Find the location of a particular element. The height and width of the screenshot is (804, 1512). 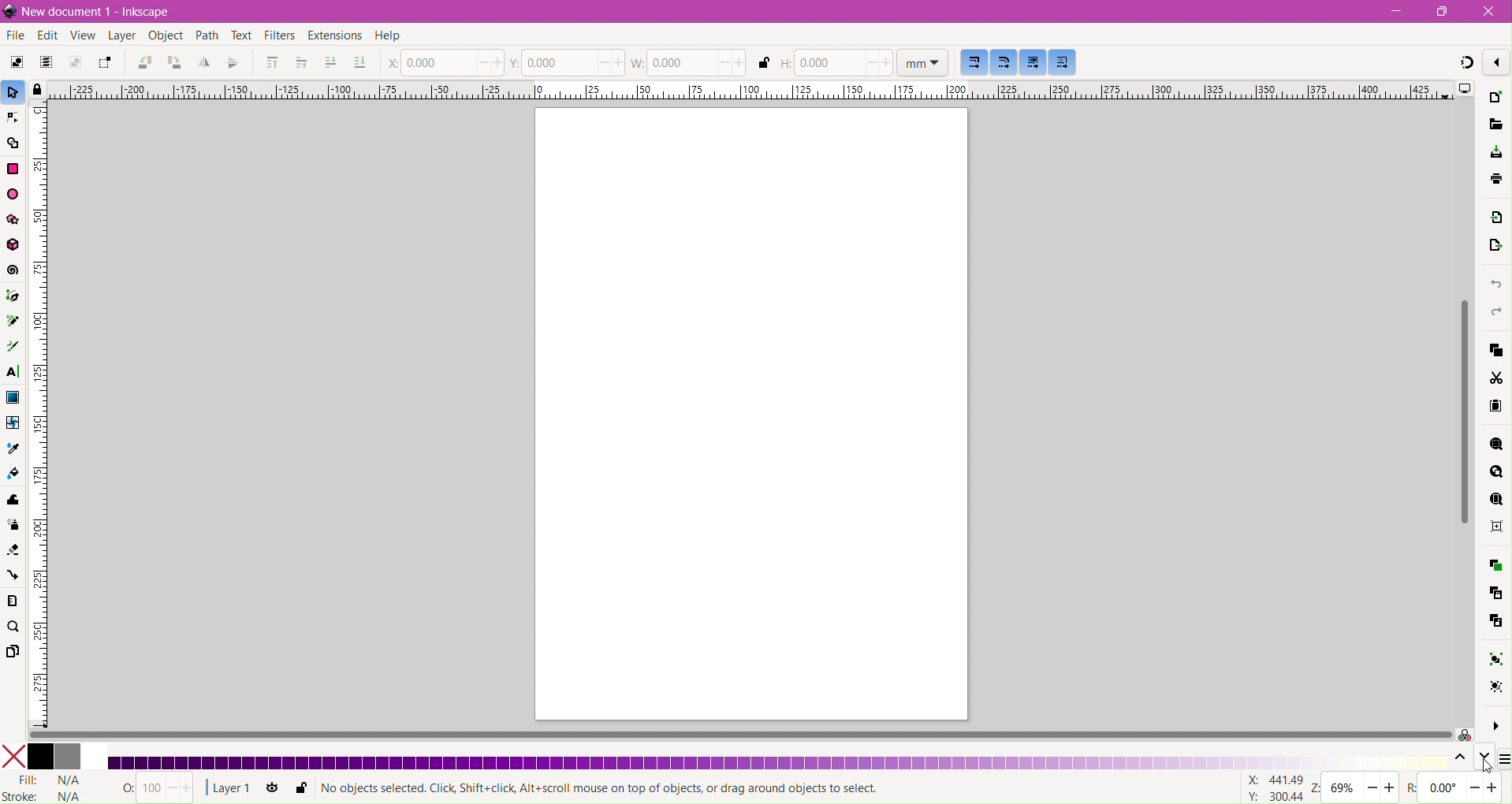

Go up one level is located at coordinates (1460, 758).